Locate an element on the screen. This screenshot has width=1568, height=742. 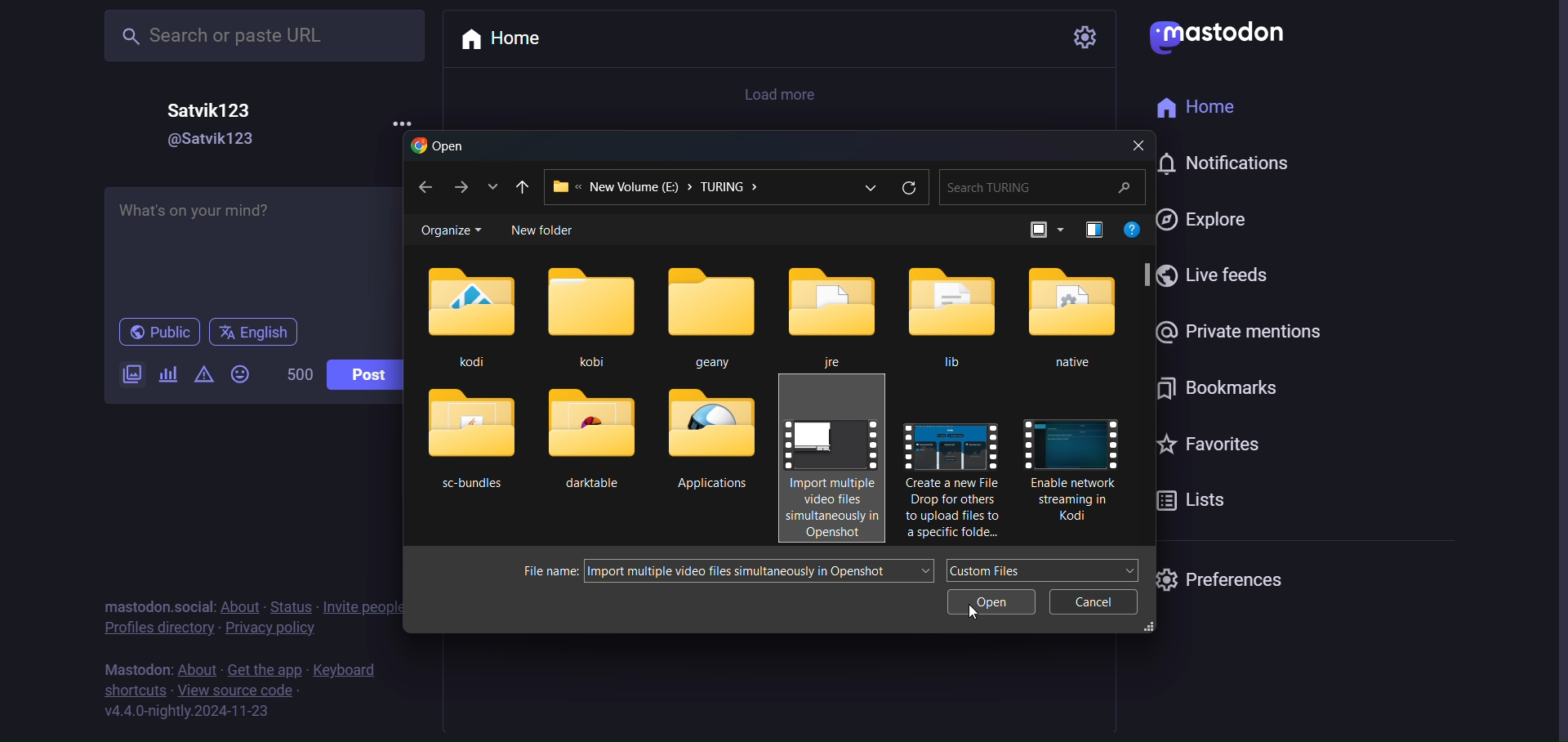
refresh is located at coordinates (907, 189).